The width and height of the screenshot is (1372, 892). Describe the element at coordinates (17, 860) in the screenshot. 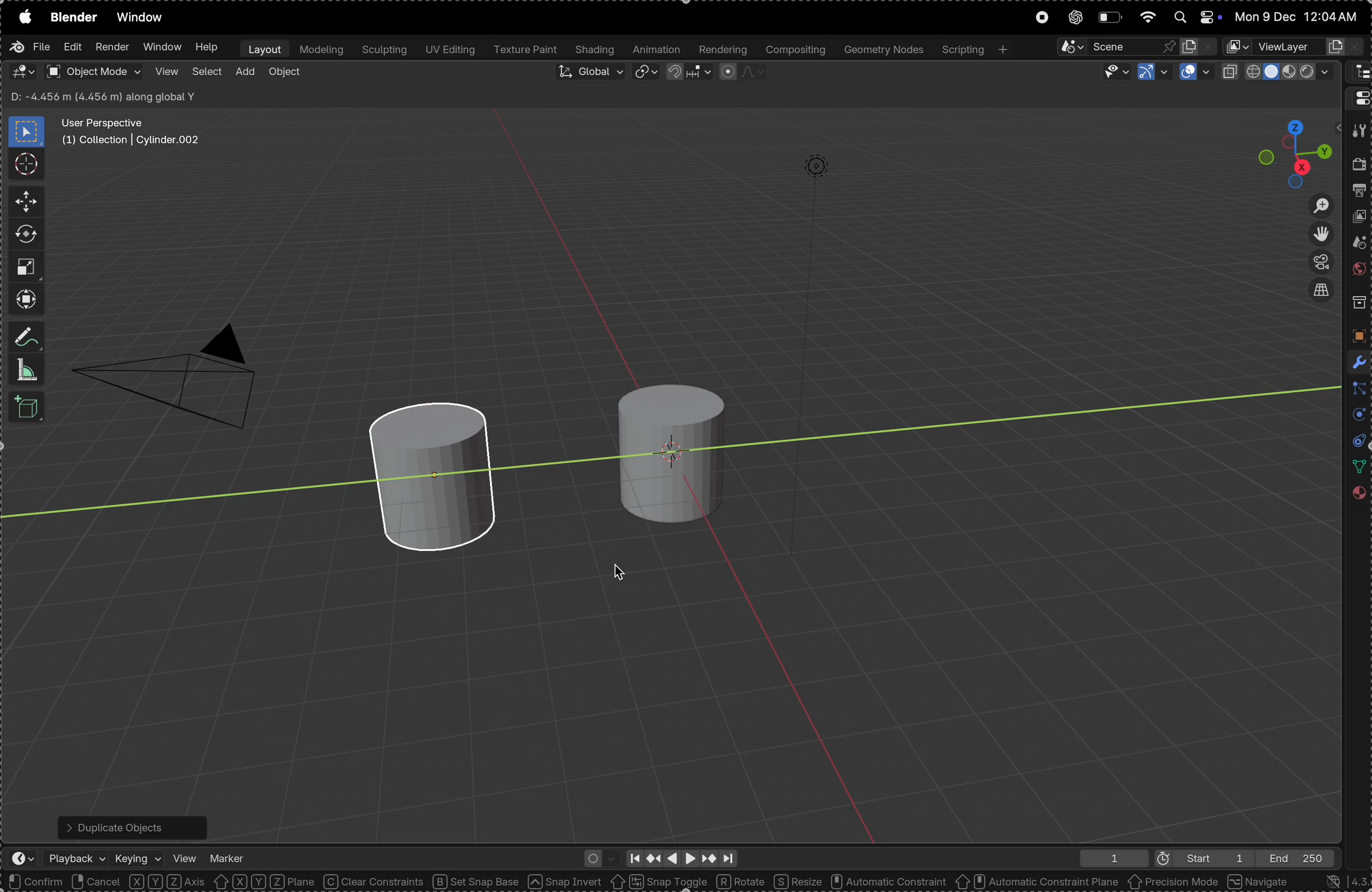

I see `editor type` at that location.